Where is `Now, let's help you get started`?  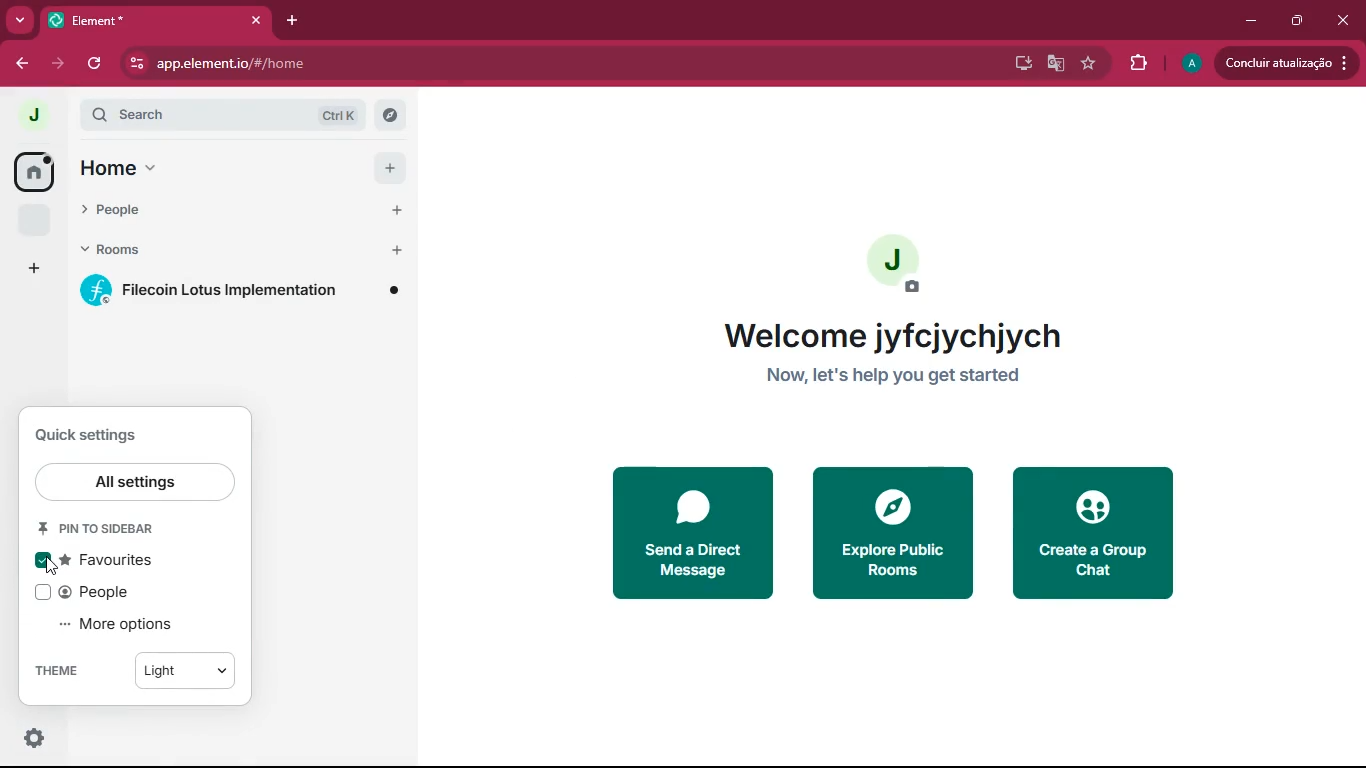 Now, let's help you get started is located at coordinates (893, 374).